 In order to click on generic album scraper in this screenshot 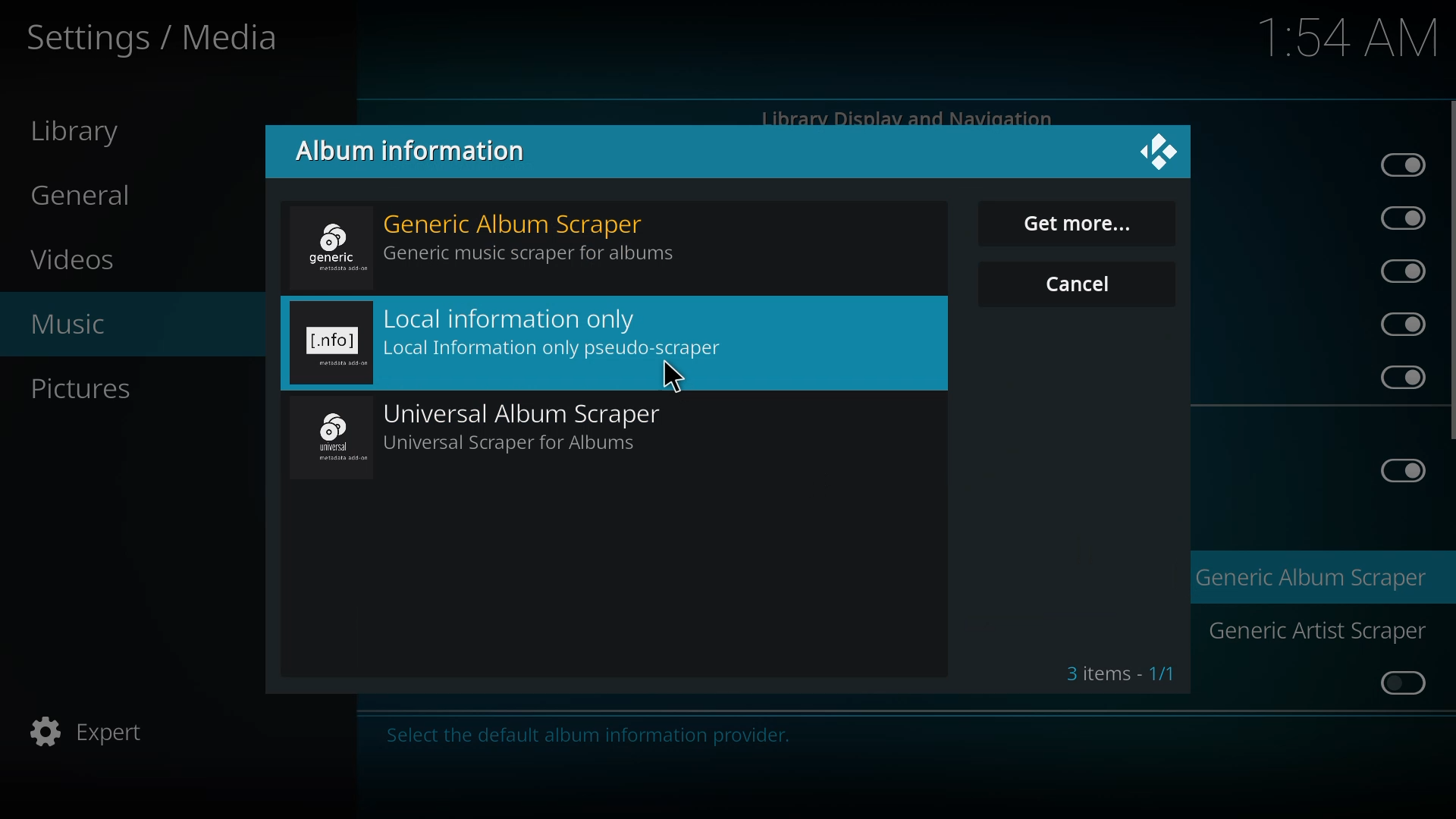, I will do `click(499, 243)`.